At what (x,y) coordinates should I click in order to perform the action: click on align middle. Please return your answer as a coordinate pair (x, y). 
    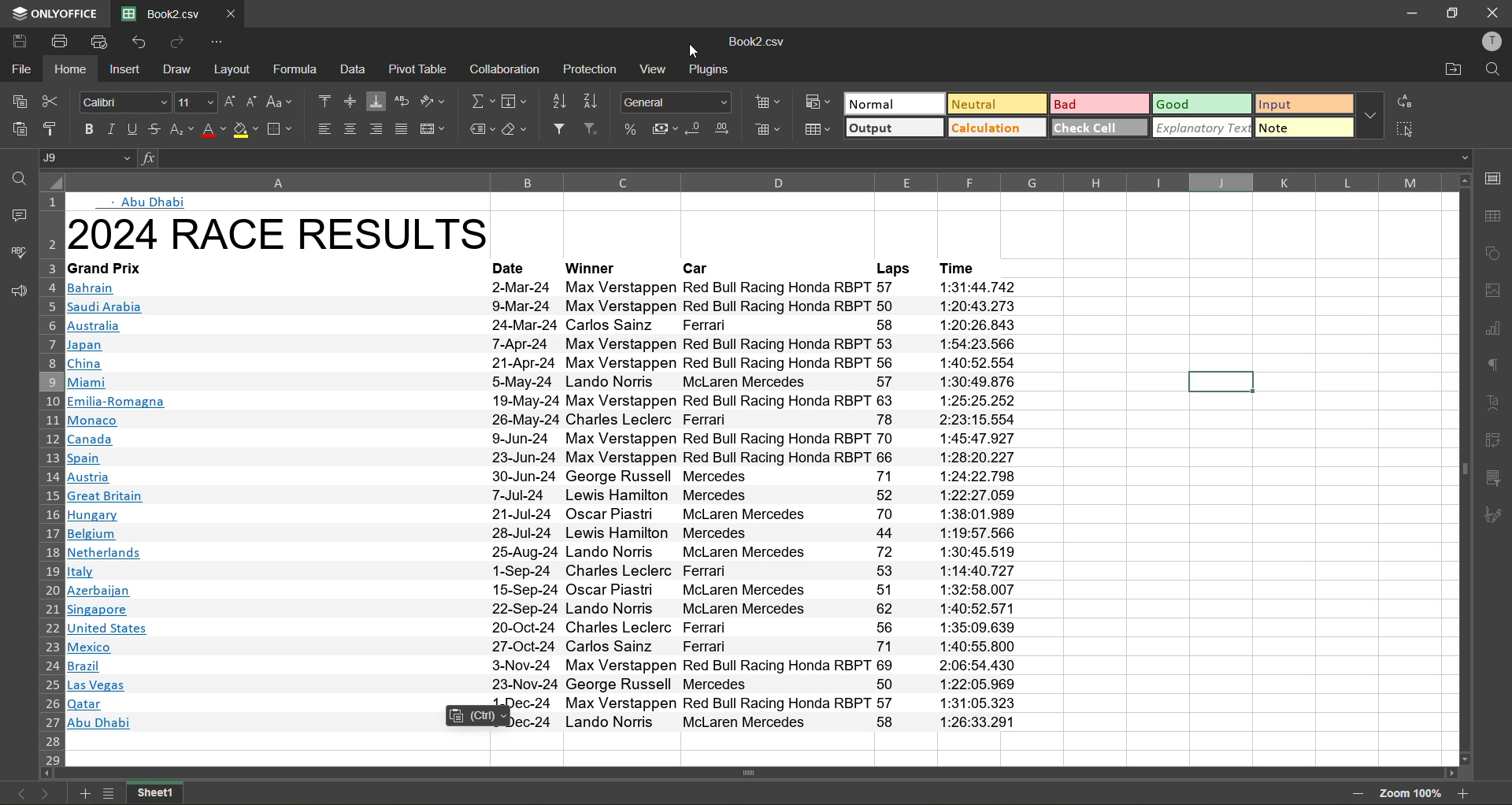
    Looking at the image, I should click on (349, 100).